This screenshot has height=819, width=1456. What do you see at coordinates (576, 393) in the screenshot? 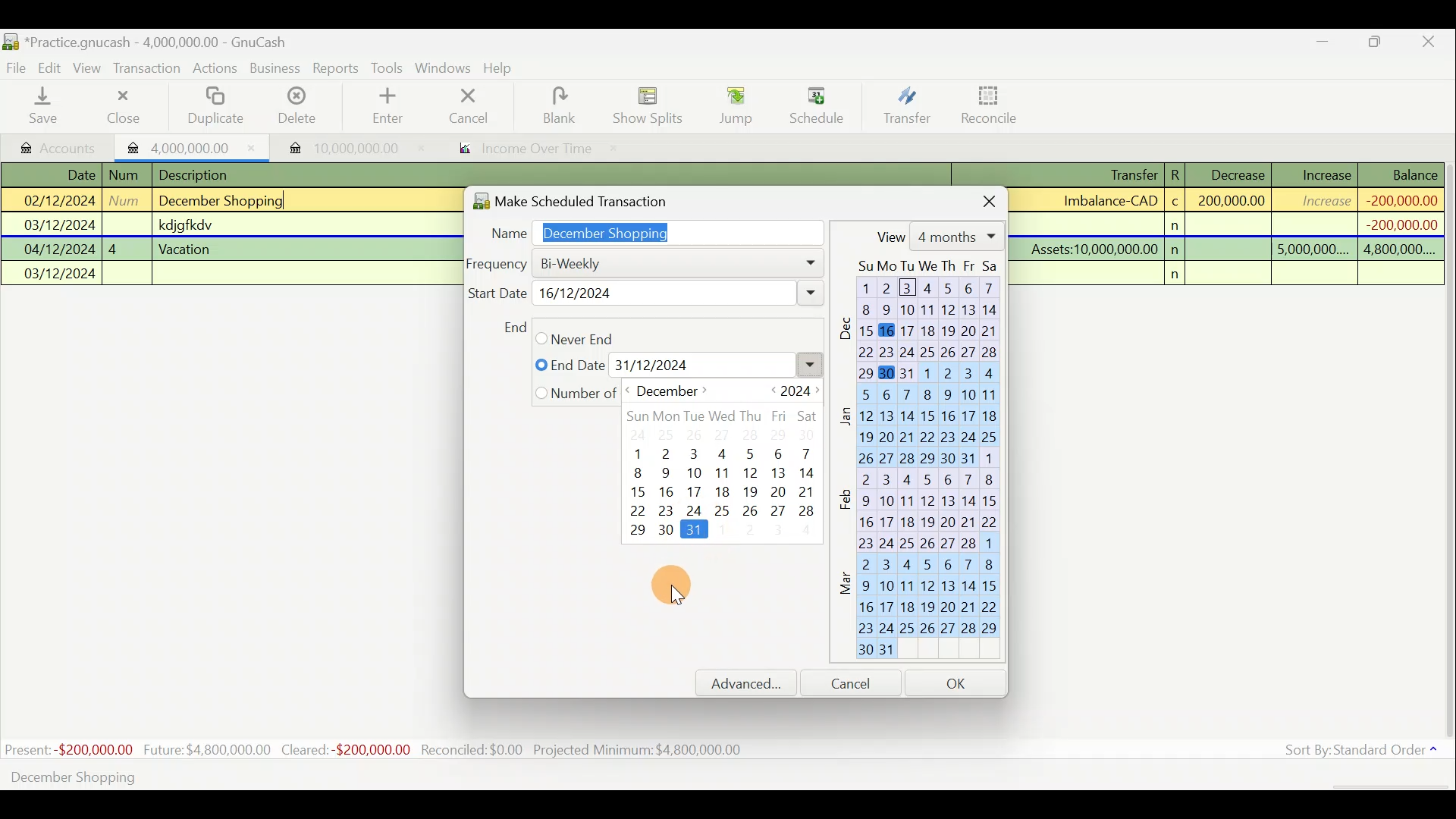
I see `Yearly` at bounding box center [576, 393].